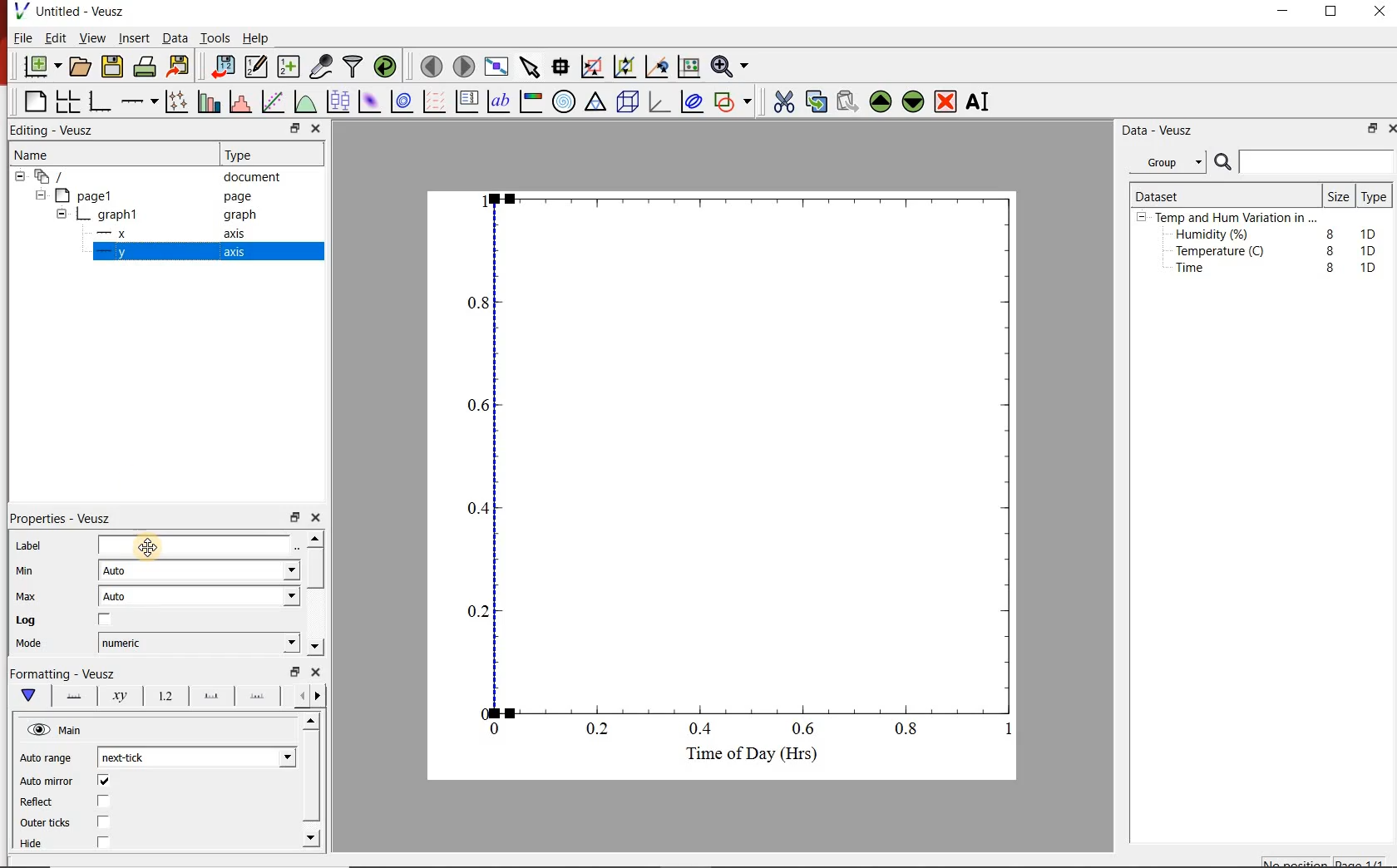 This screenshot has width=1397, height=868. What do you see at coordinates (86, 842) in the screenshot?
I see `Hide` at bounding box center [86, 842].